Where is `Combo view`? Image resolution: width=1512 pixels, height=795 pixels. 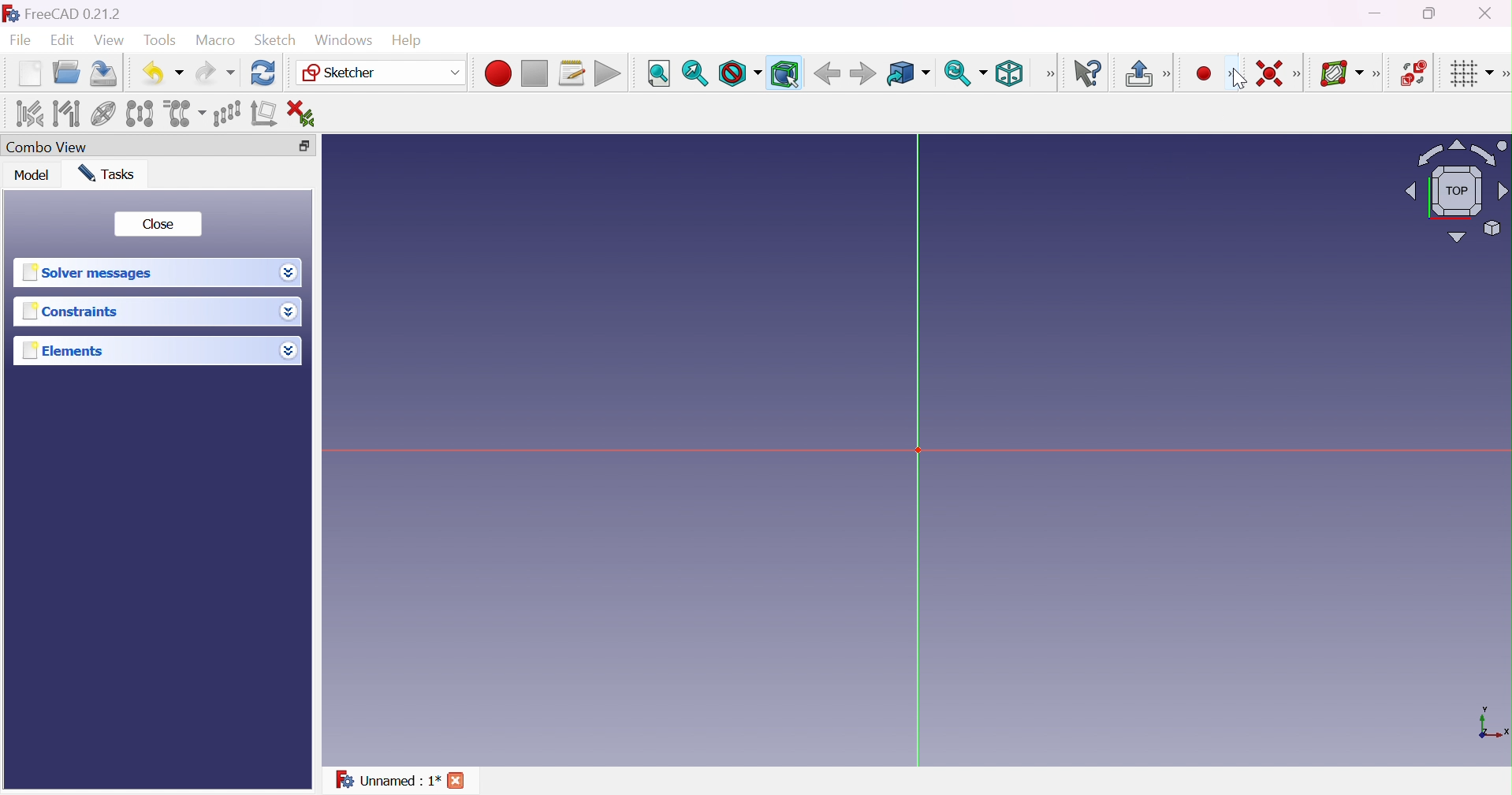 Combo view is located at coordinates (50, 147).